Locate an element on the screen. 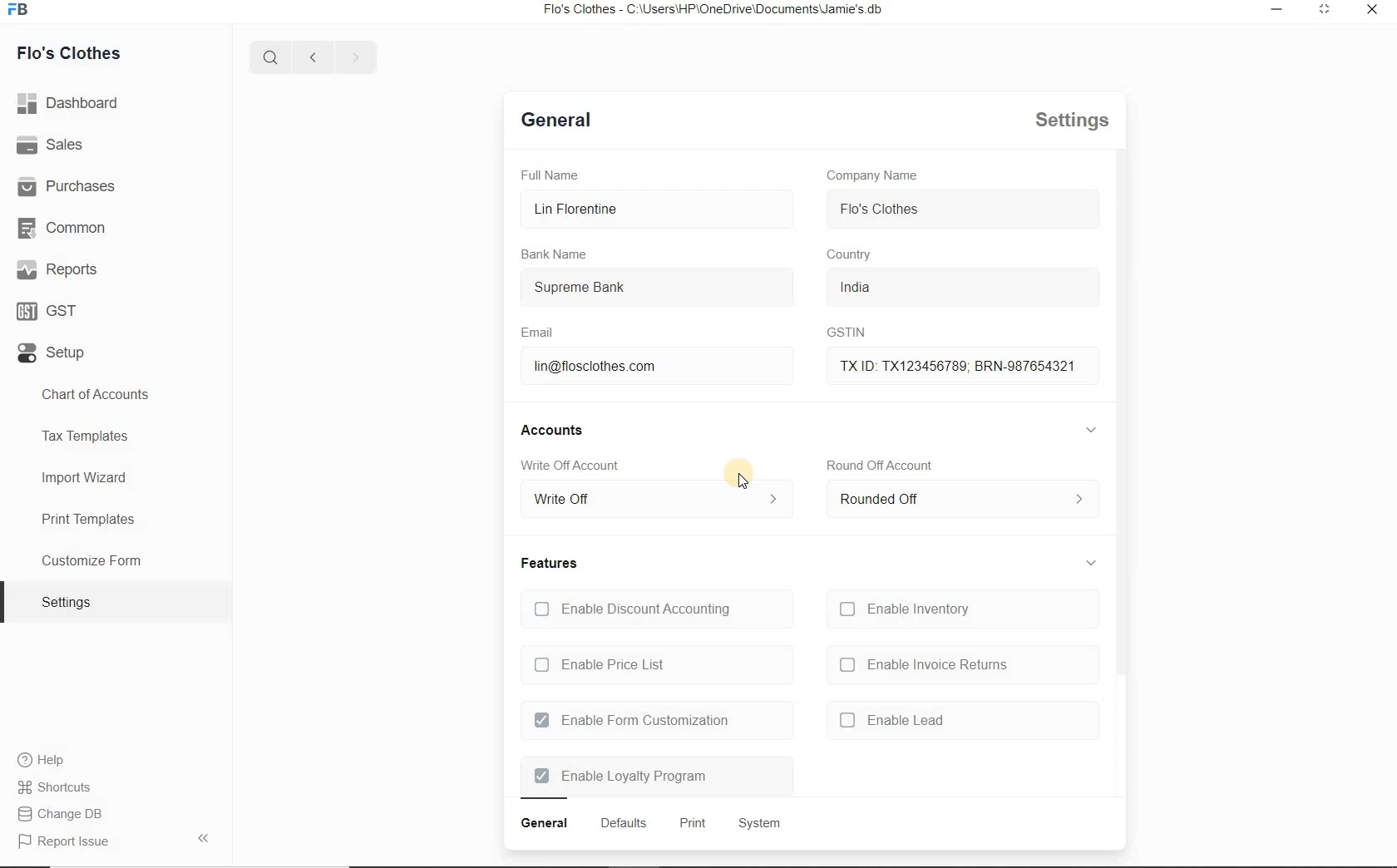 The height and width of the screenshot is (868, 1397). Rounded Off is located at coordinates (960, 499).